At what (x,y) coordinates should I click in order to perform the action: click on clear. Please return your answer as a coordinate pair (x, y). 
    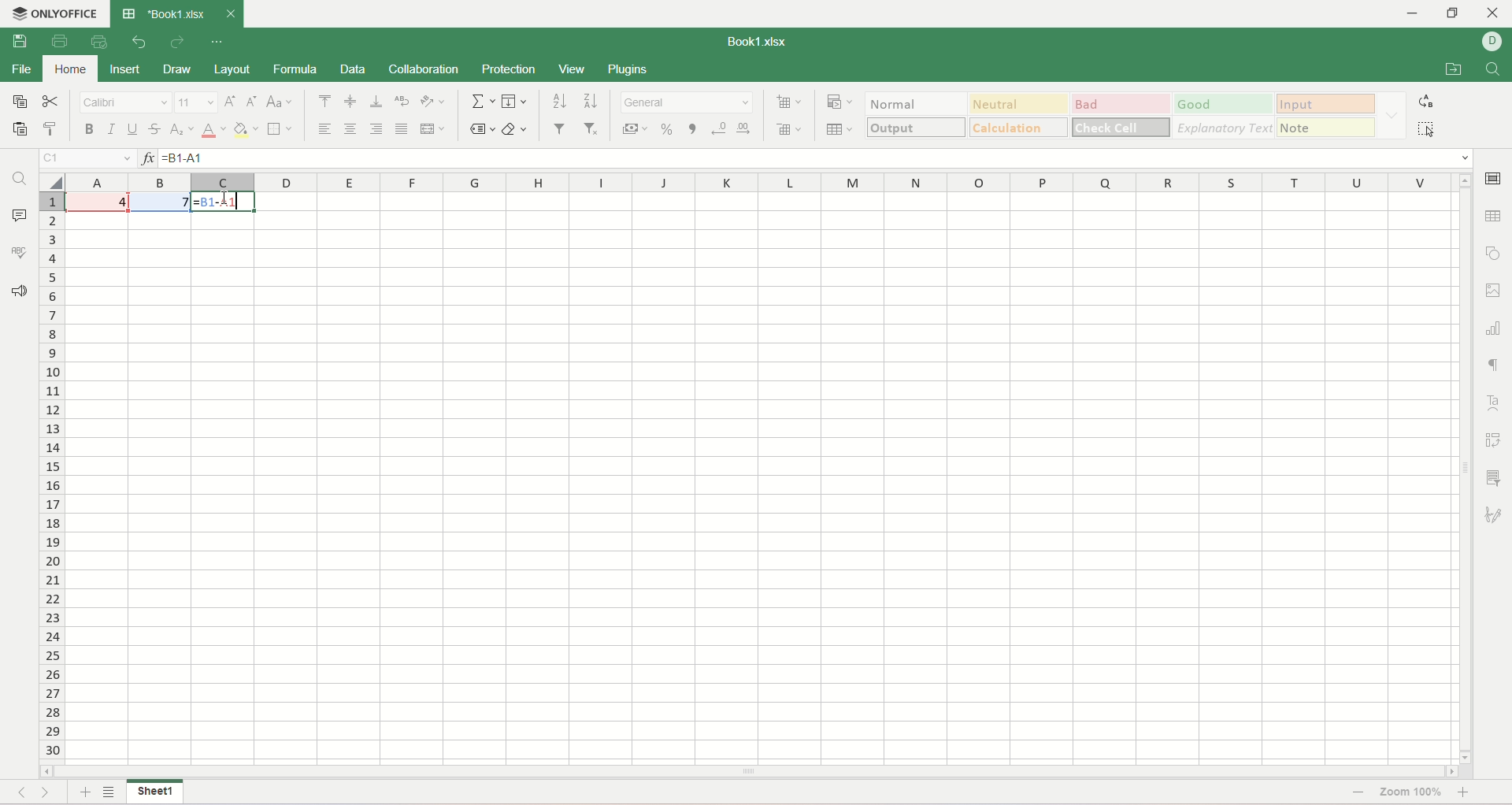
    Looking at the image, I should click on (515, 130).